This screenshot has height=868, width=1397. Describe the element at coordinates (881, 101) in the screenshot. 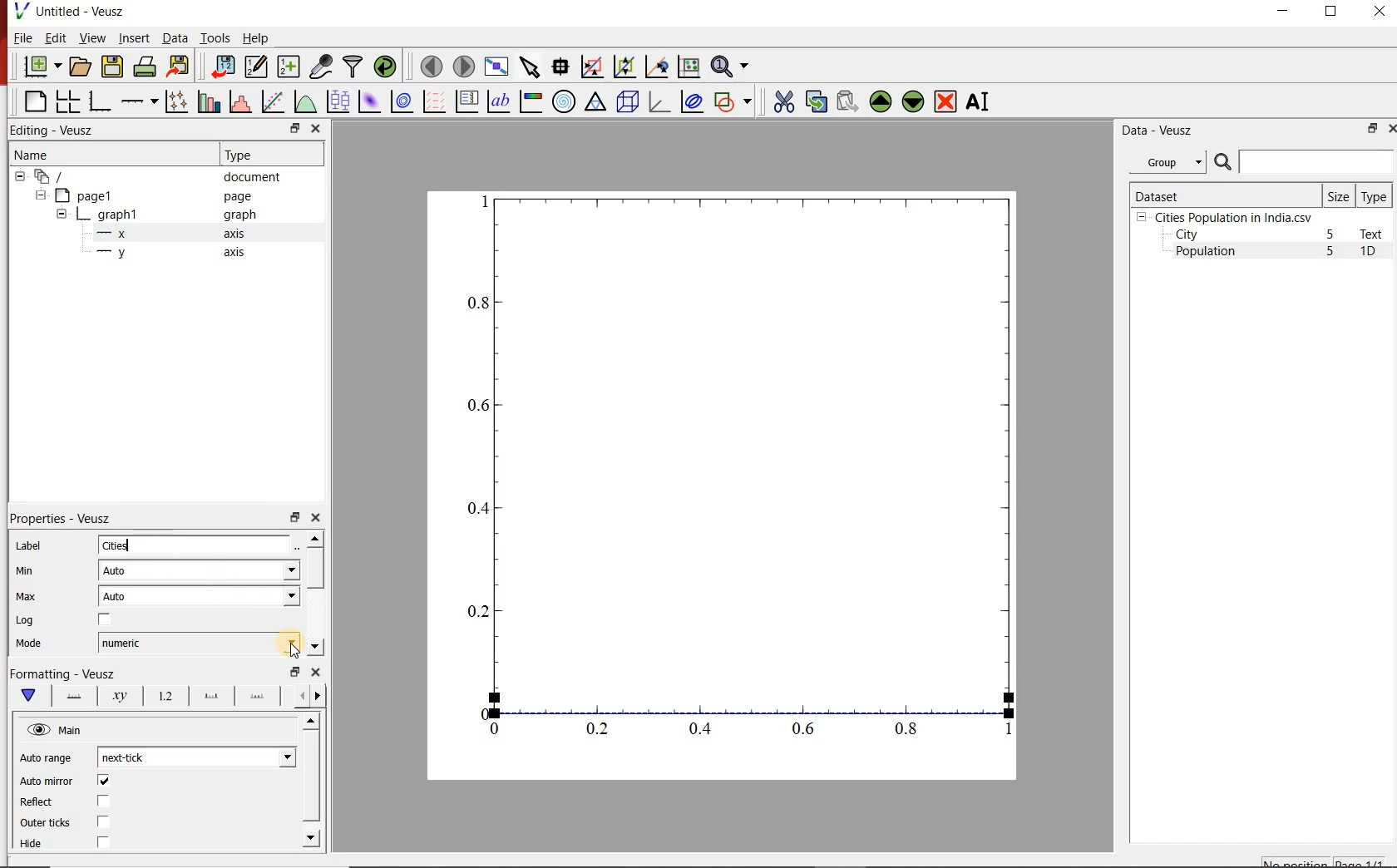

I see `move the selected widget up` at that location.